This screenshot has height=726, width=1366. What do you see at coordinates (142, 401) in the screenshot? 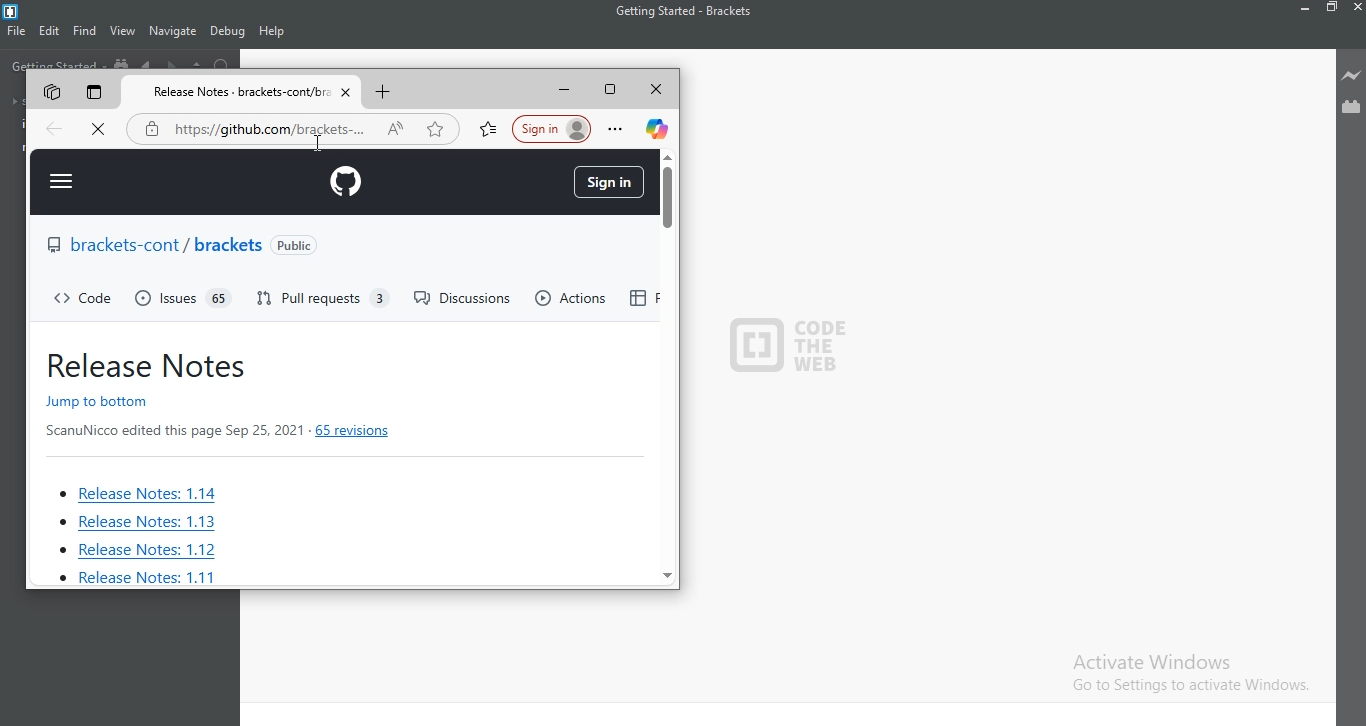
I see `jump to bottom` at bounding box center [142, 401].